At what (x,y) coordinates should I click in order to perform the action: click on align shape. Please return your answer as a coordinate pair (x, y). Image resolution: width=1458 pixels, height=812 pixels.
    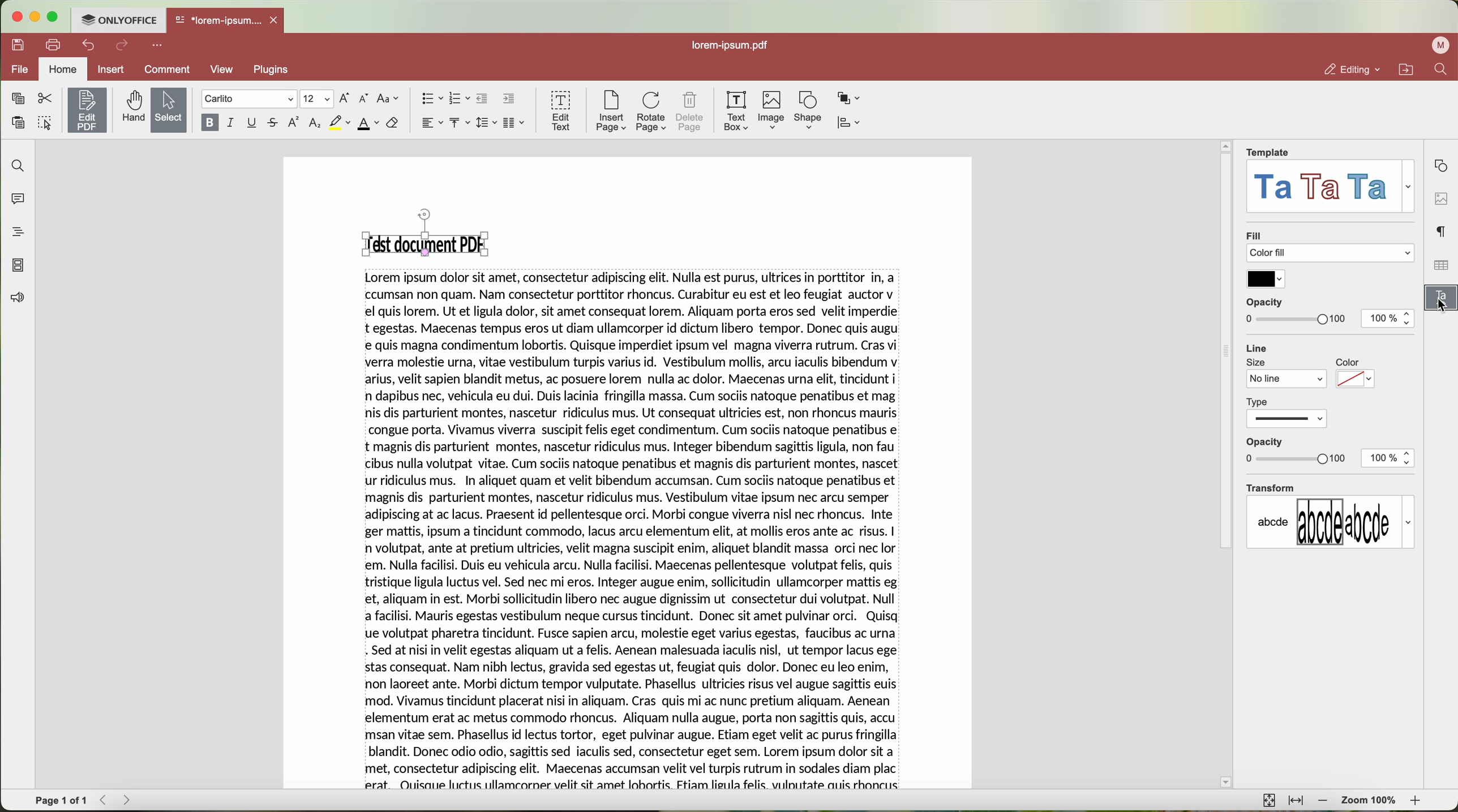
    Looking at the image, I should click on (848, 123).